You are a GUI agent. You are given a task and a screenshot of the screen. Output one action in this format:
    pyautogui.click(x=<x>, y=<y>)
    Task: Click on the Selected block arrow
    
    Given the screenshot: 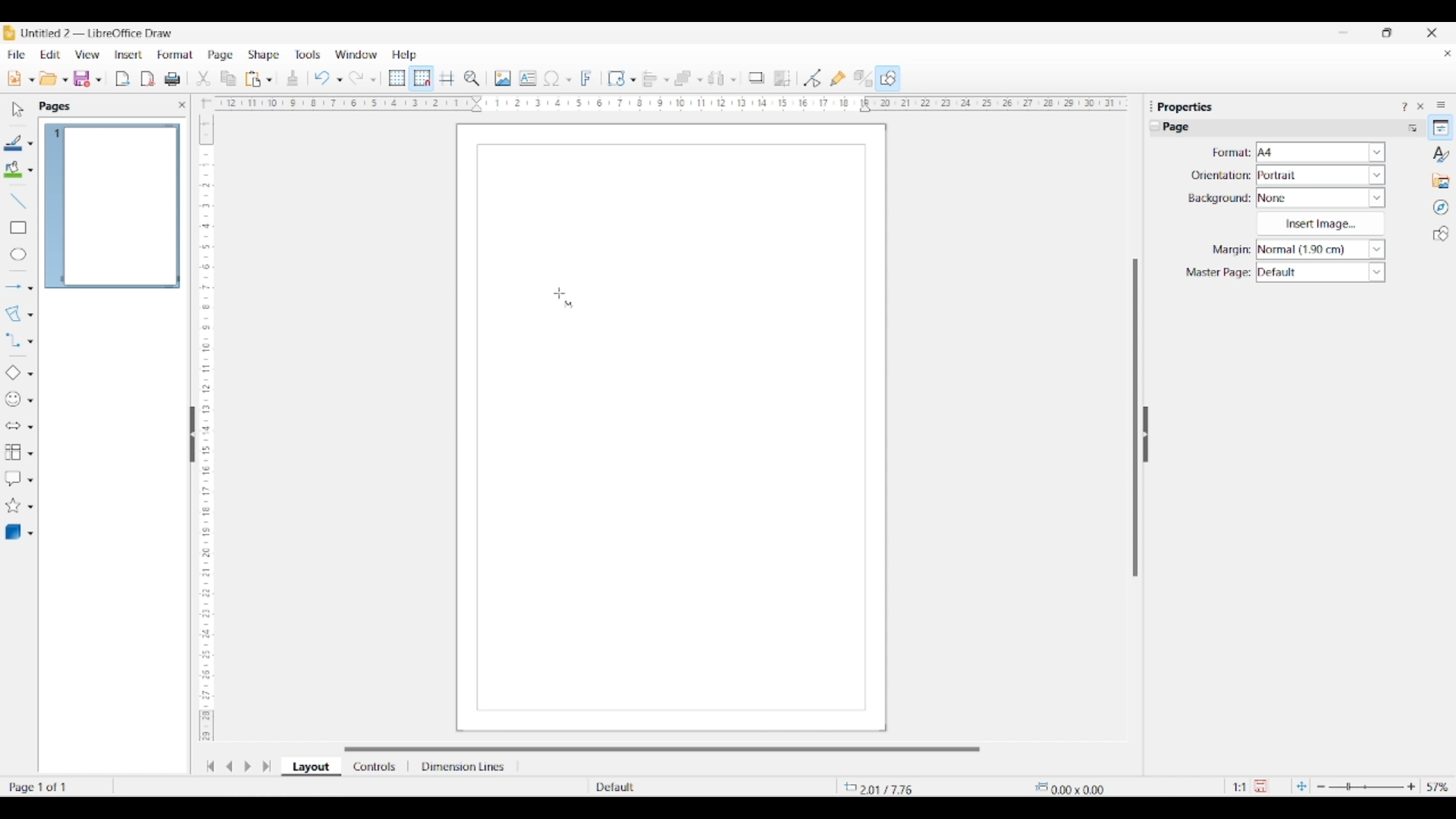 What is the action you would take?
    pyautogui.click(x=12, y=426)
    